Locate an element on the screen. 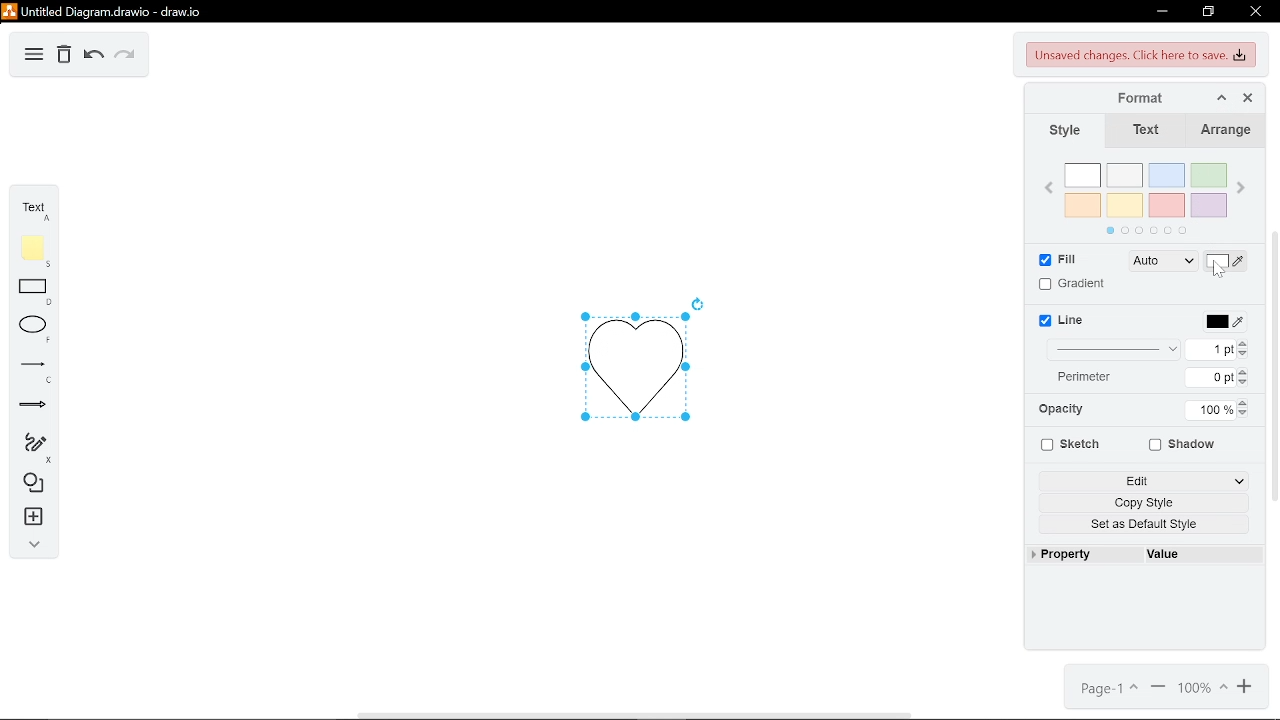 The height and width of the screenshot is (720, 1280). restore down is located at coordinates (1210, 12).